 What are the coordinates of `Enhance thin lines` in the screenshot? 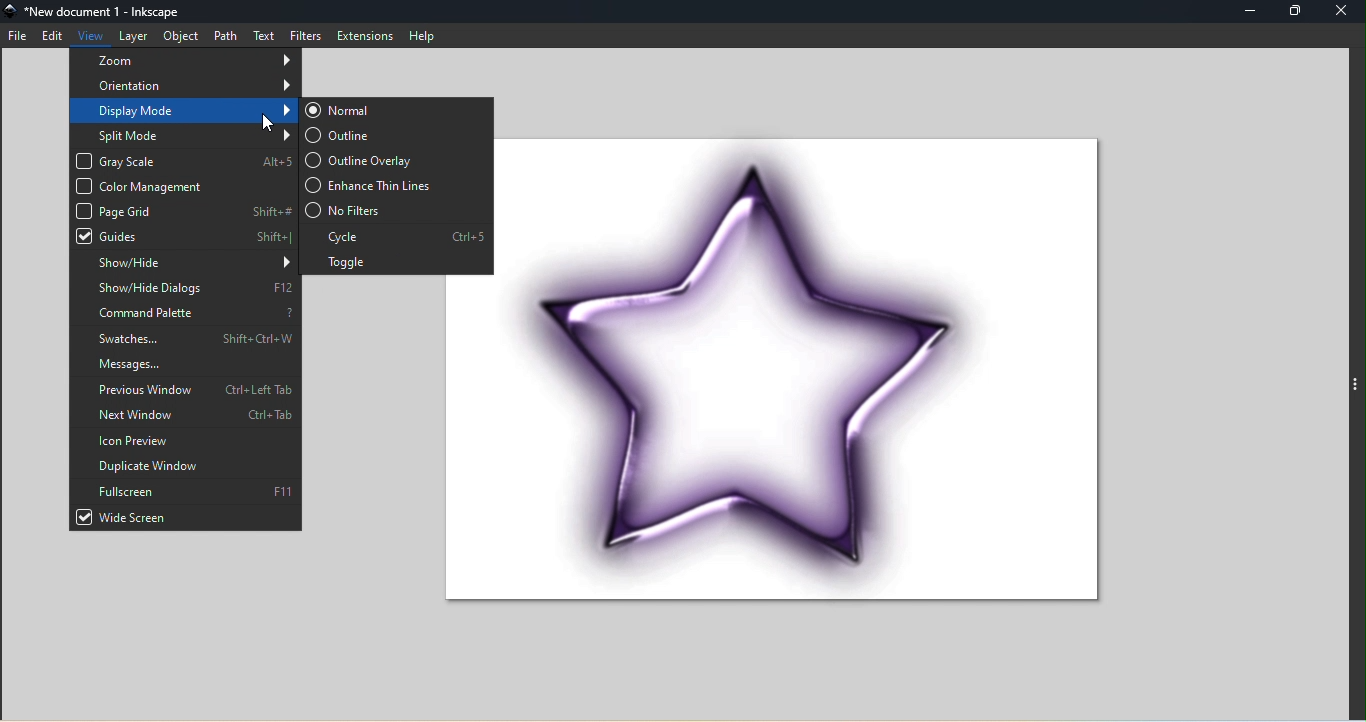 It's located at (398, 185).